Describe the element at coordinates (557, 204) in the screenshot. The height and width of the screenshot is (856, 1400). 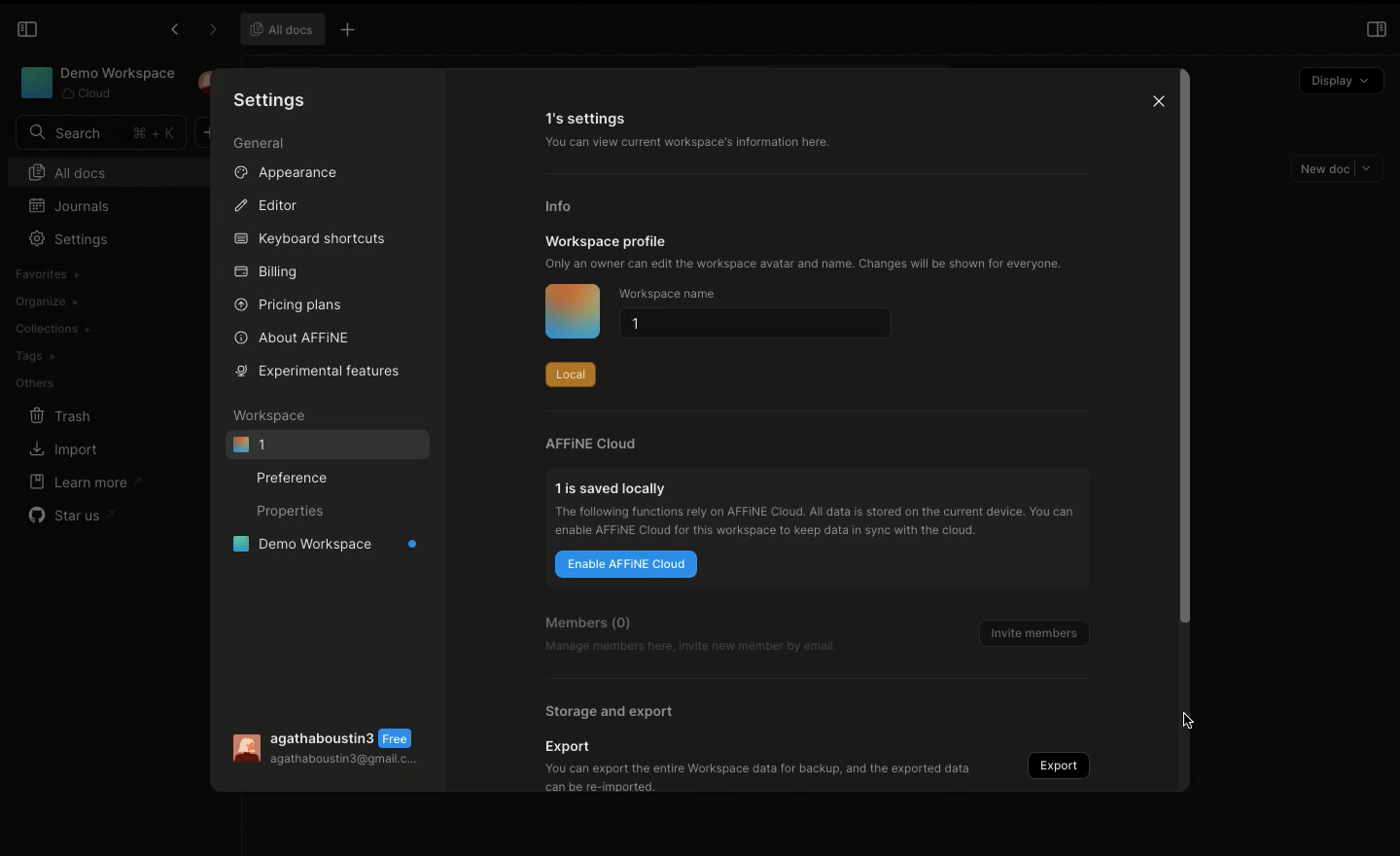
I see `Info` at that location.